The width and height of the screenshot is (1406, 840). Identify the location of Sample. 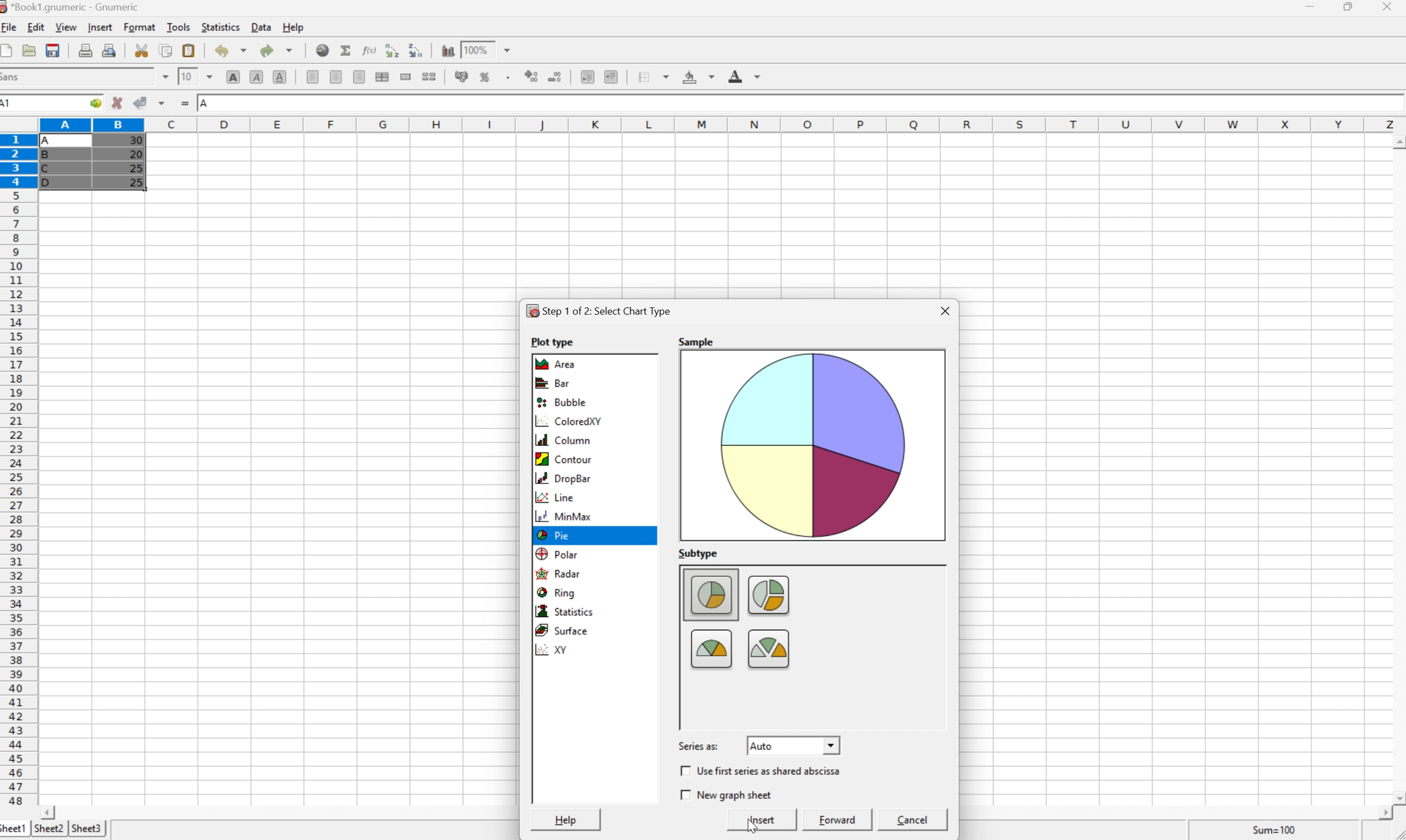
(698, 341).